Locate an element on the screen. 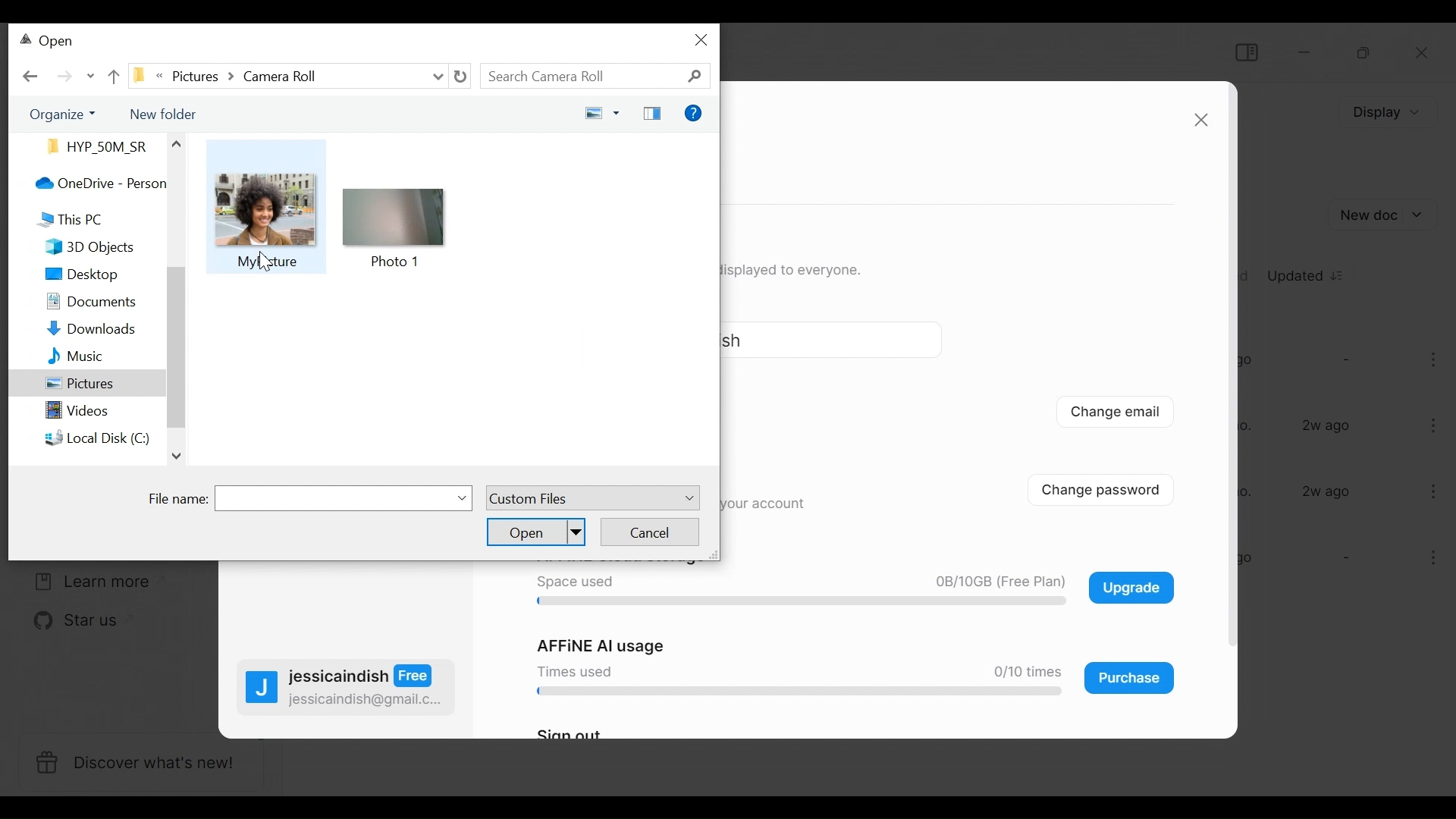  Pictures is located at coordinates (86, 384).